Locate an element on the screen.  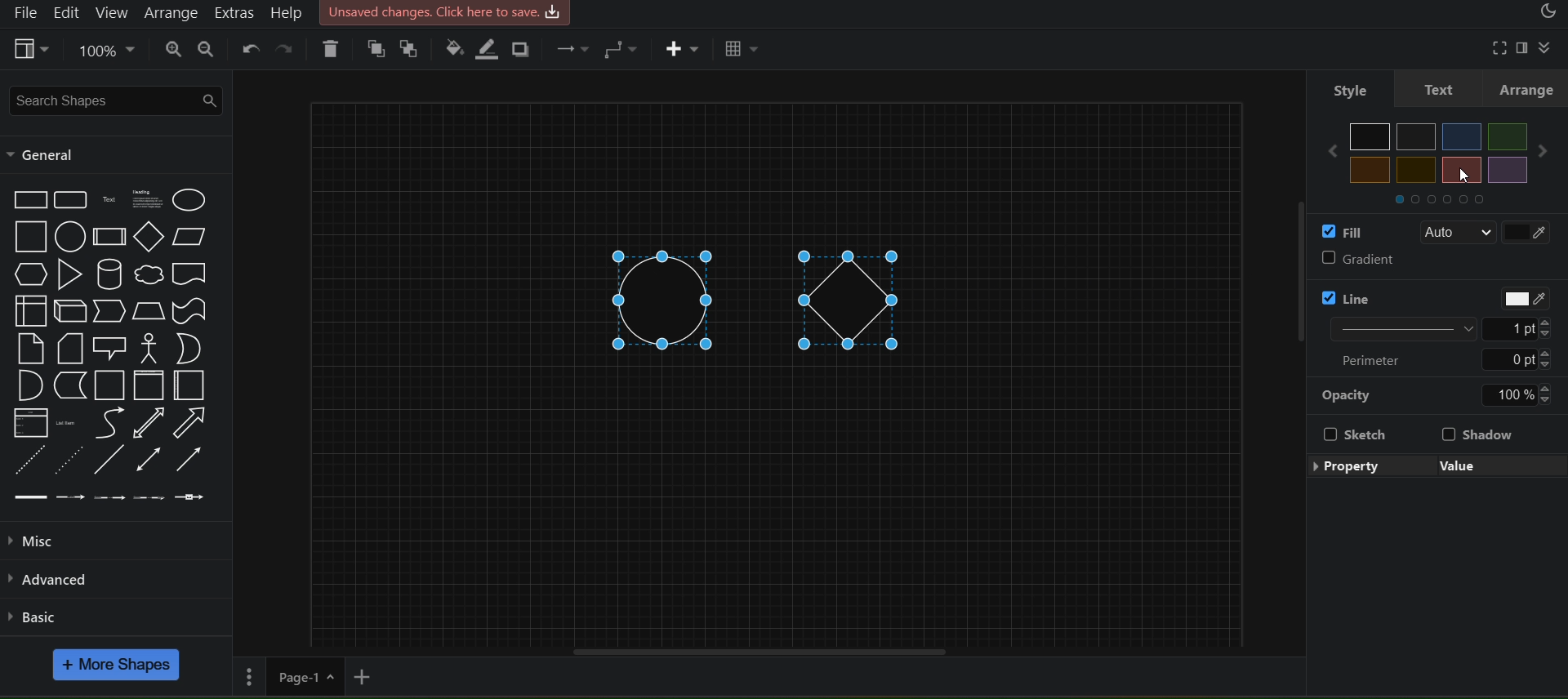
undo is located at coordinates (250, 48).